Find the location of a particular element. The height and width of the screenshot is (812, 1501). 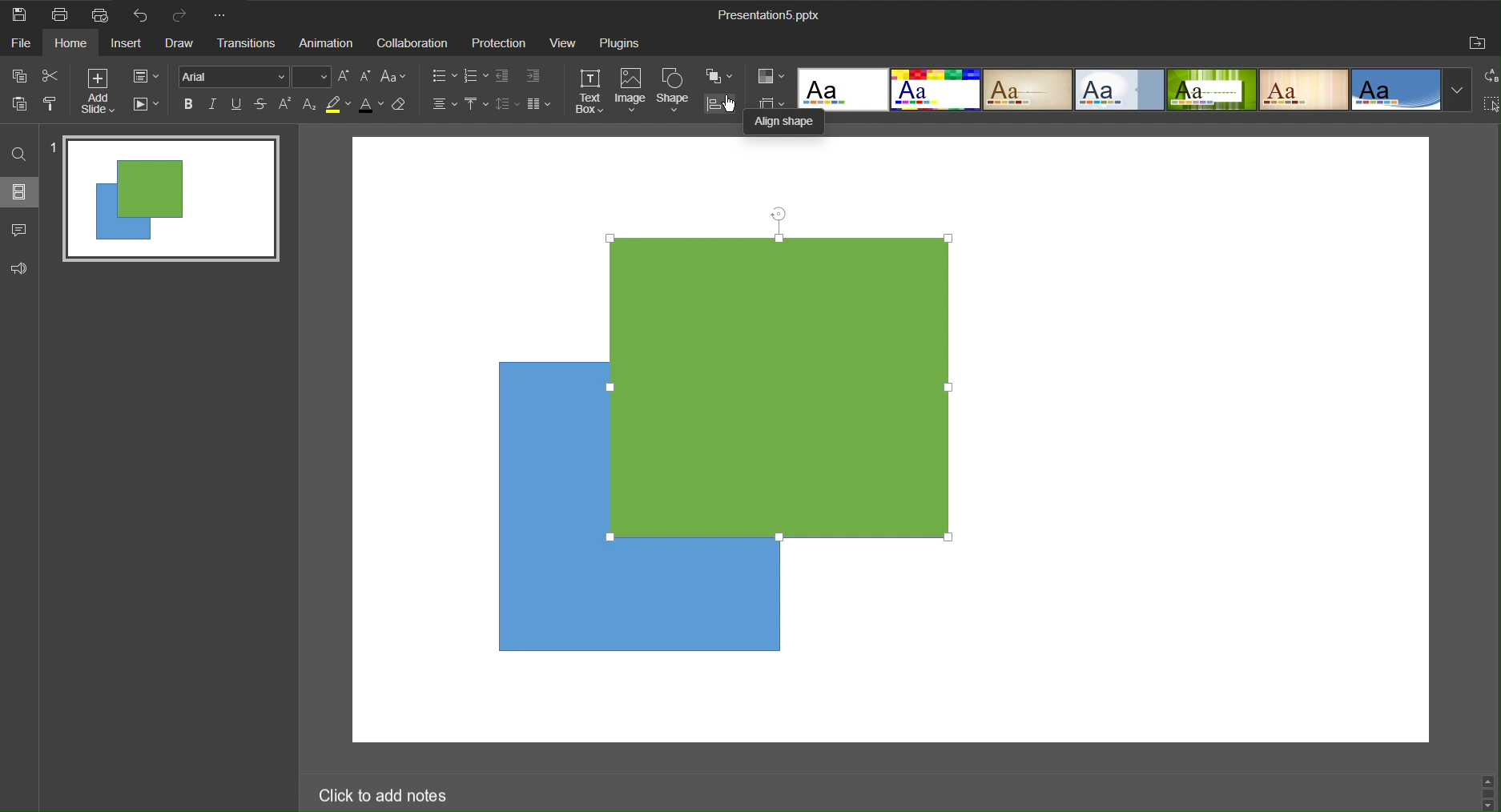

Select All is located at coordinates (1491, 107).